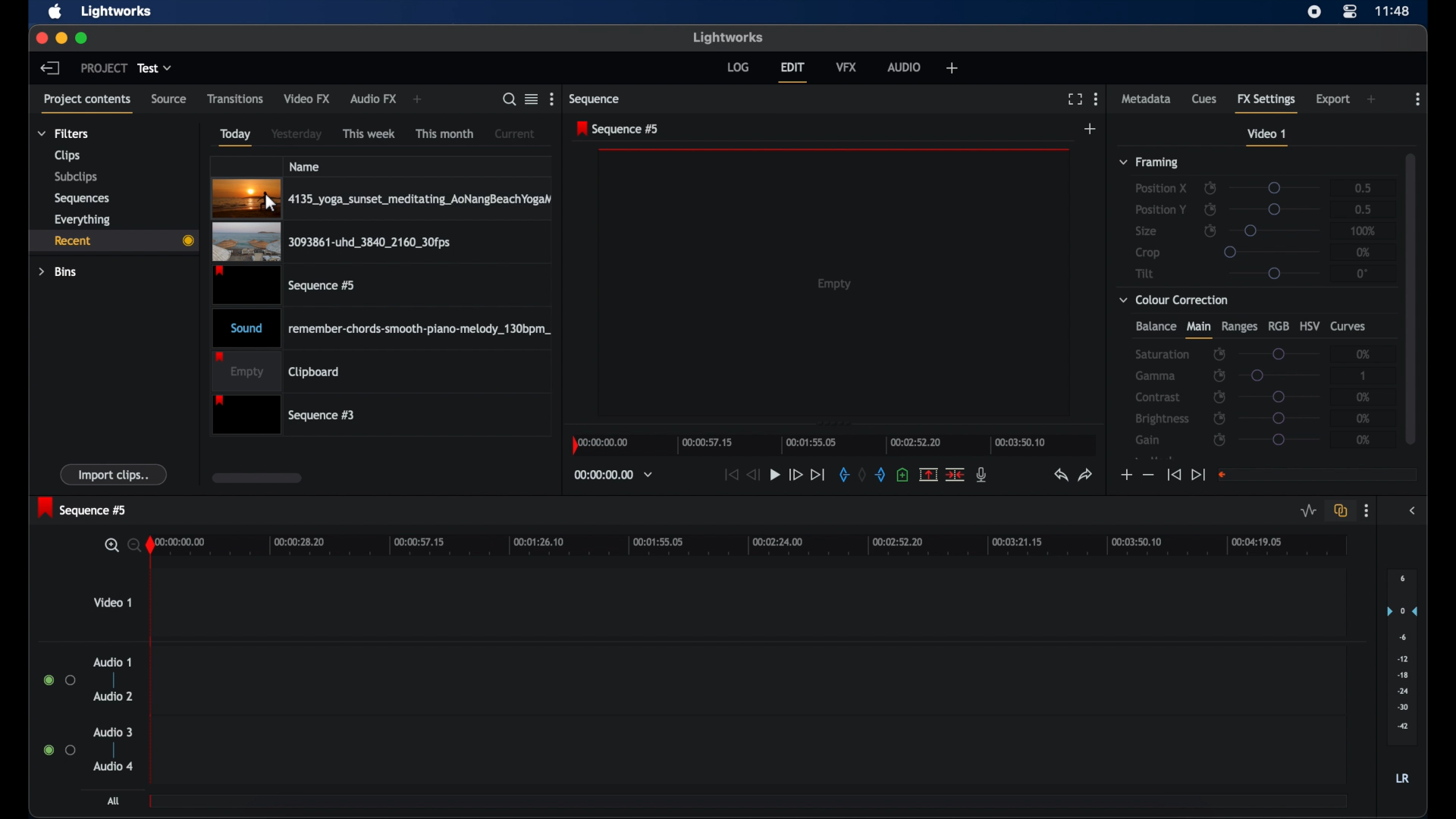  Describe the element at coordinates (1163, 419) in the screenshot. I see `brightness` at that location.